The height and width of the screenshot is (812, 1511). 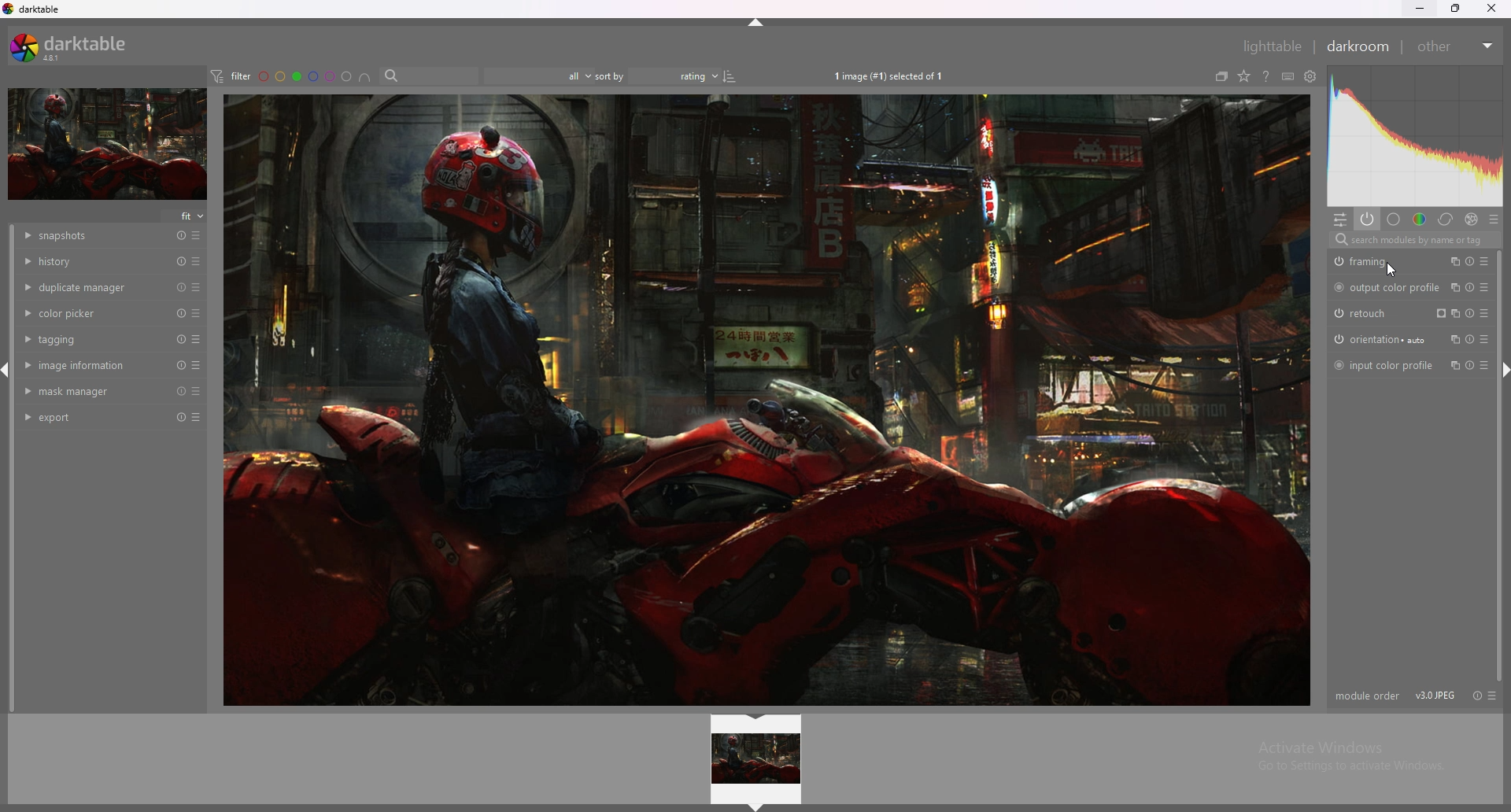 What do you see at coordinates (1366, 314) in the screenshot?
I see `retouch` at bounding box center [1366, 314].